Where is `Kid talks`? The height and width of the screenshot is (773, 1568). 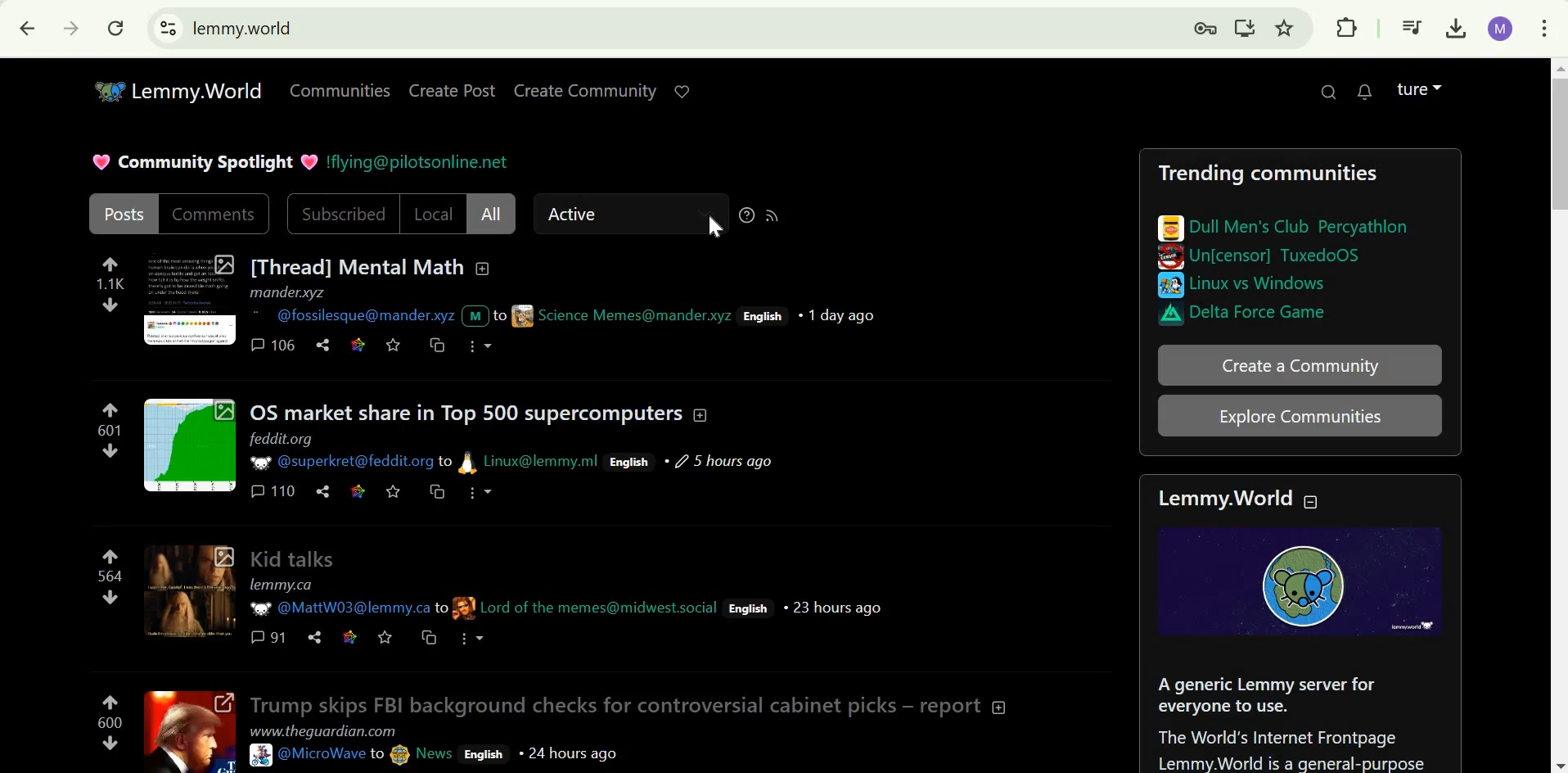 Kid talks is located at coordinates (293, 557).